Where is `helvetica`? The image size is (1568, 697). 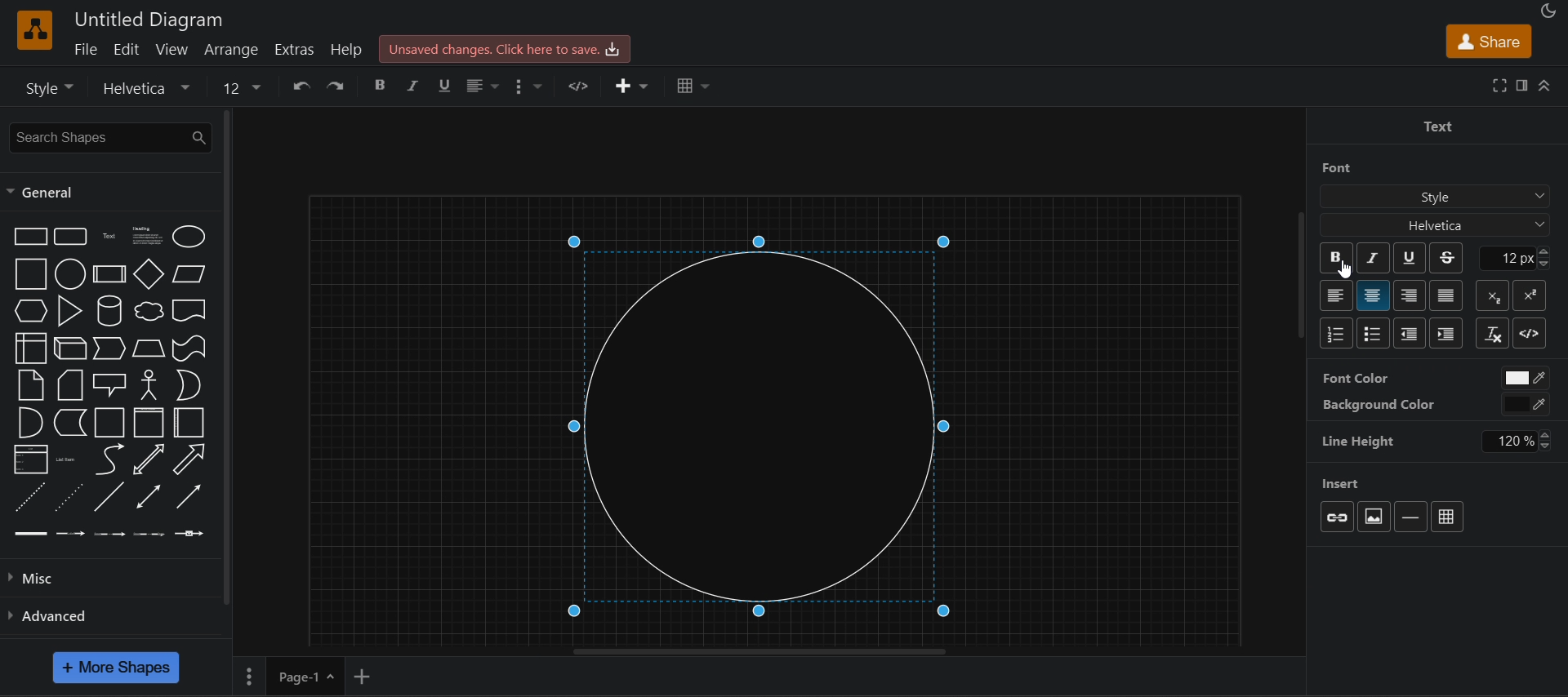 helvetica is located at coordinates (1434, 226).